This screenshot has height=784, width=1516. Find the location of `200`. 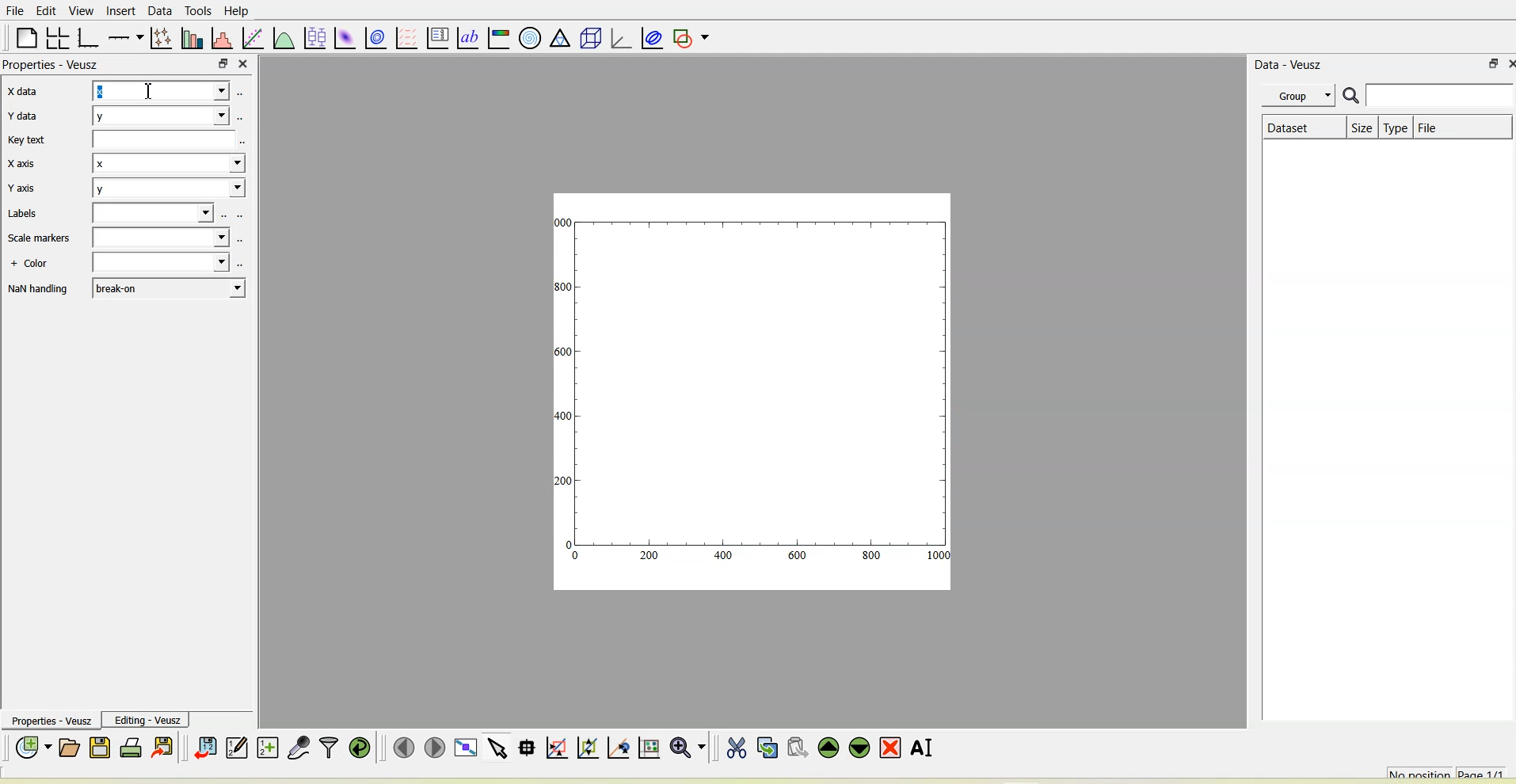

200 is located at coordinates (649, 557).